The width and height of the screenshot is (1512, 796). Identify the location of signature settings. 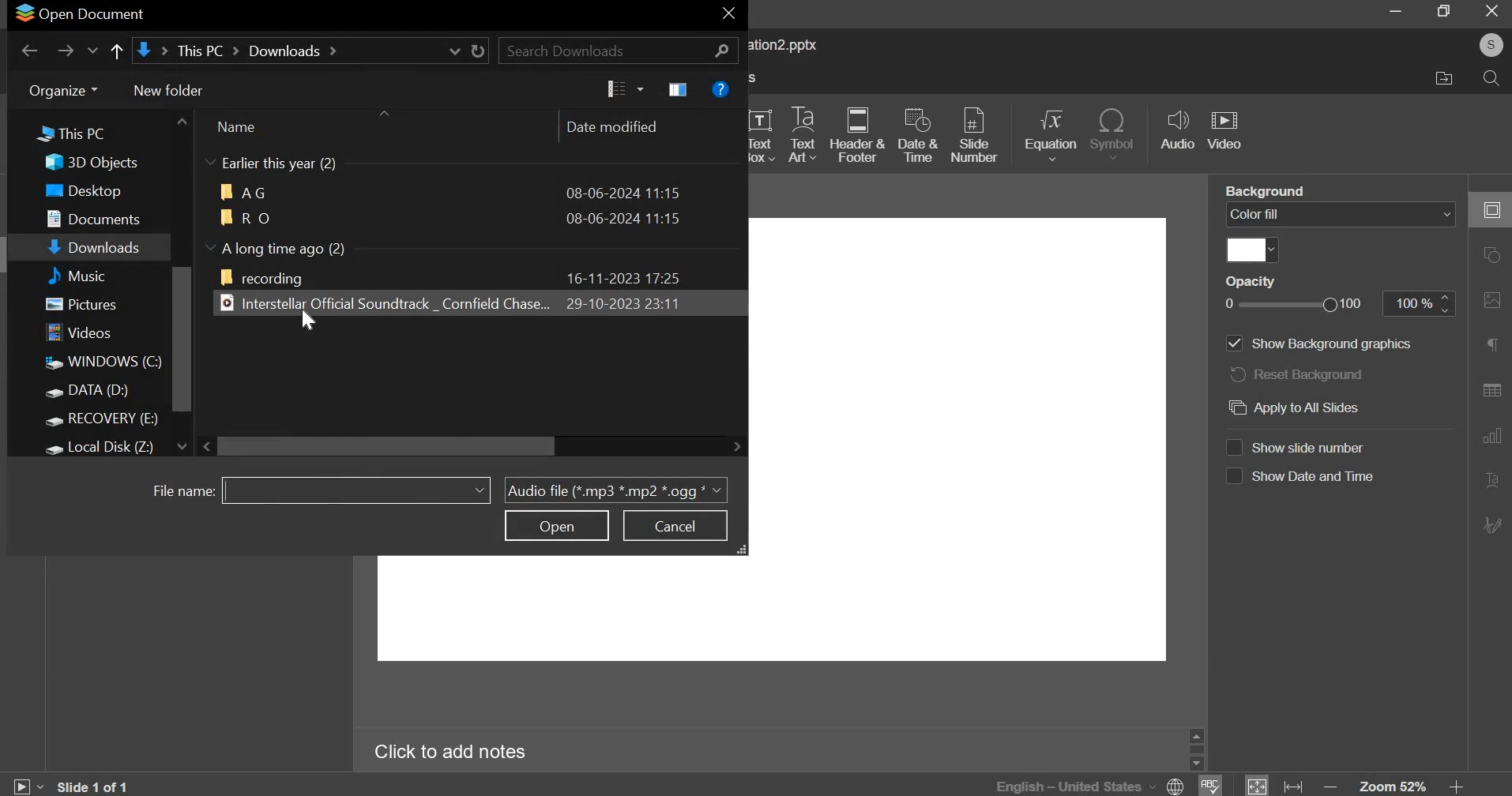
(1490, 524).